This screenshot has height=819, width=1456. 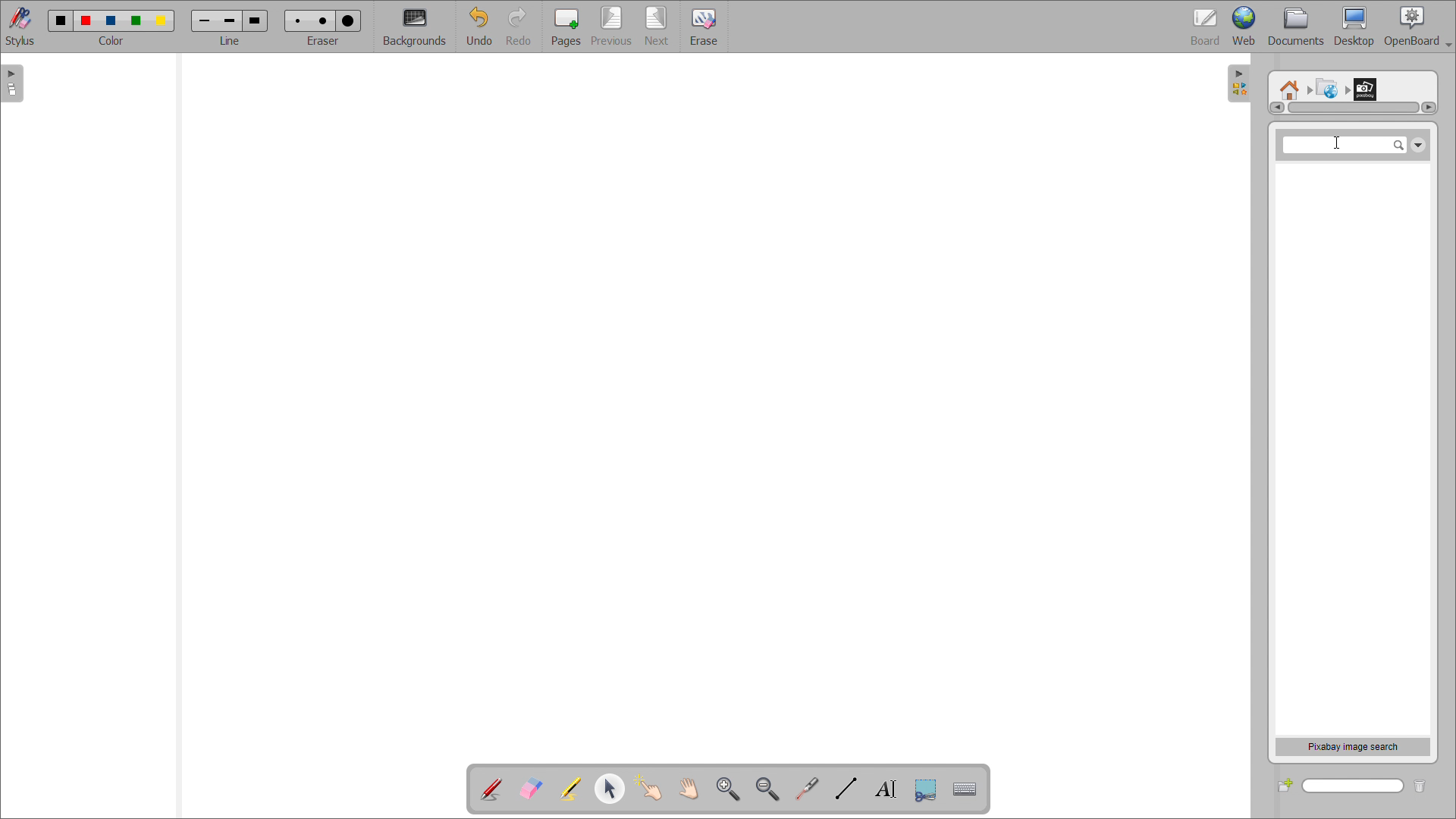 I want to click on Root, so click(x=1290, y=84).